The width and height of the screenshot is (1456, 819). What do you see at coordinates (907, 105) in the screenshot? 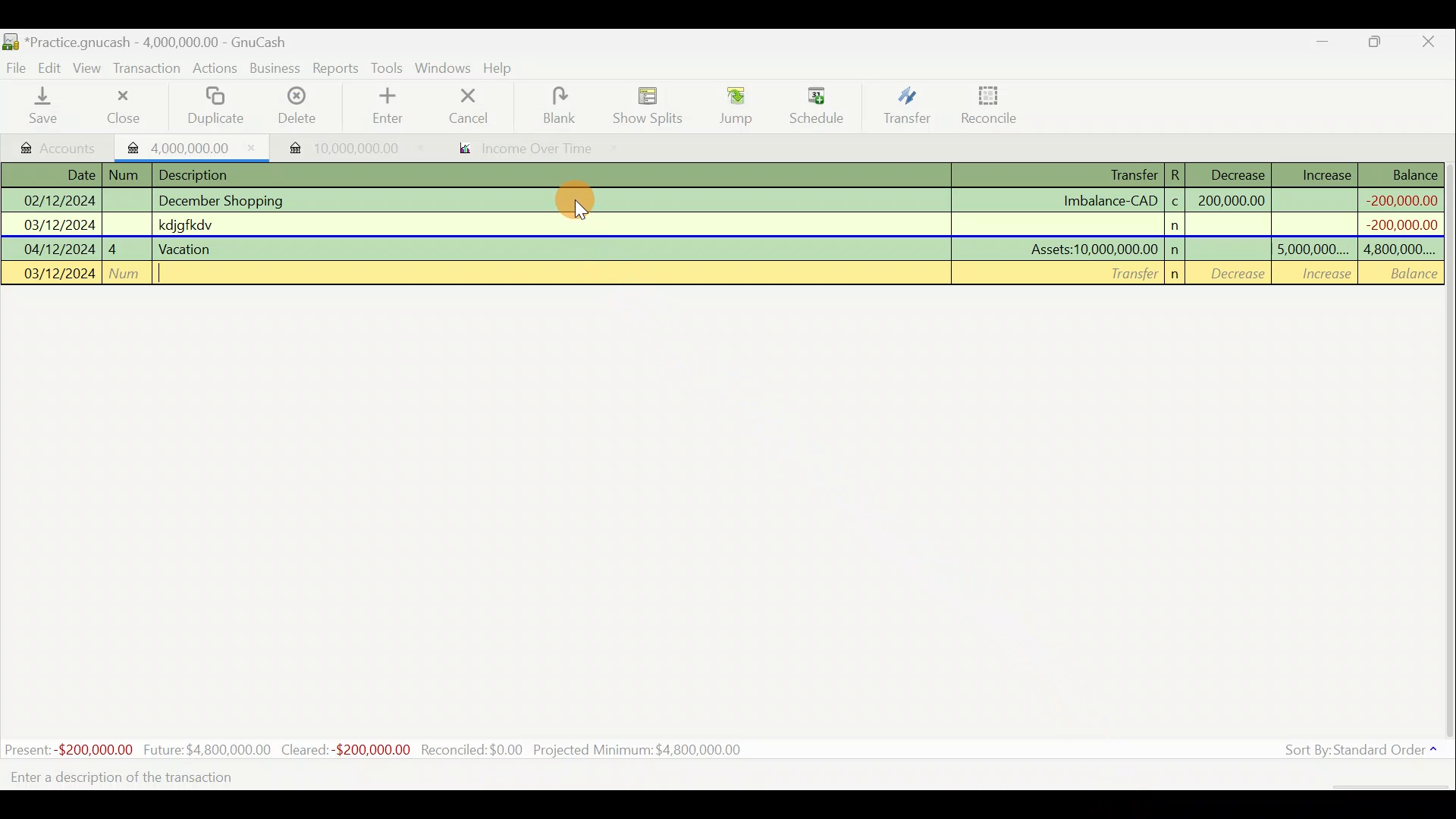
I see `Transfer` at bounding box center [907, 105].